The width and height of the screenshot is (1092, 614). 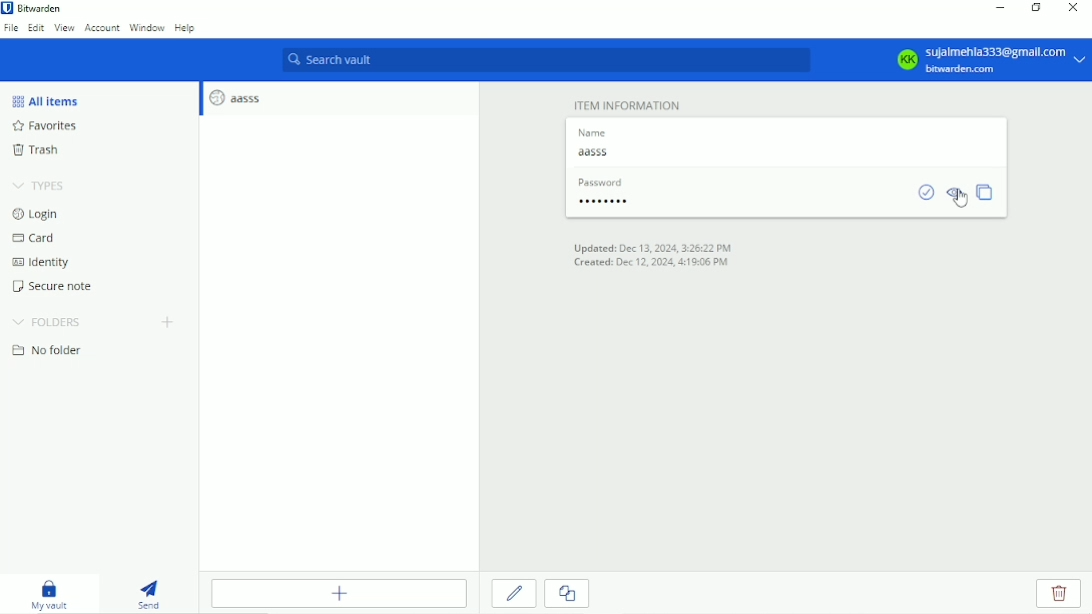 I want to click on Window, so click(x=147, y=28).